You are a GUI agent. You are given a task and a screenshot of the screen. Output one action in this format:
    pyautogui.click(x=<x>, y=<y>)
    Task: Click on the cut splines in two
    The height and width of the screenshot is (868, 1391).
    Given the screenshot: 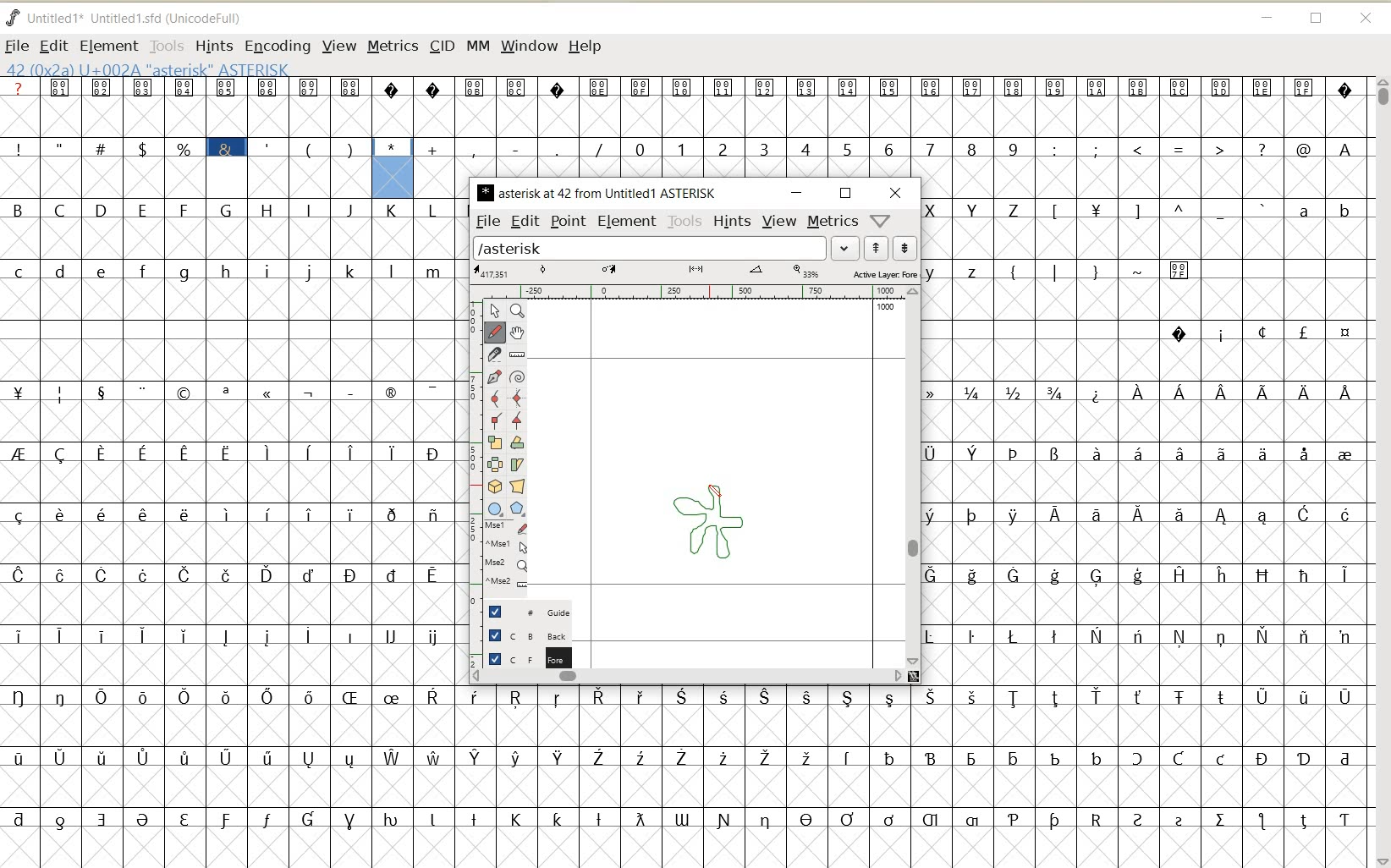 What is the action you would take?
    pyautogui.click(x=496, y=355)
    